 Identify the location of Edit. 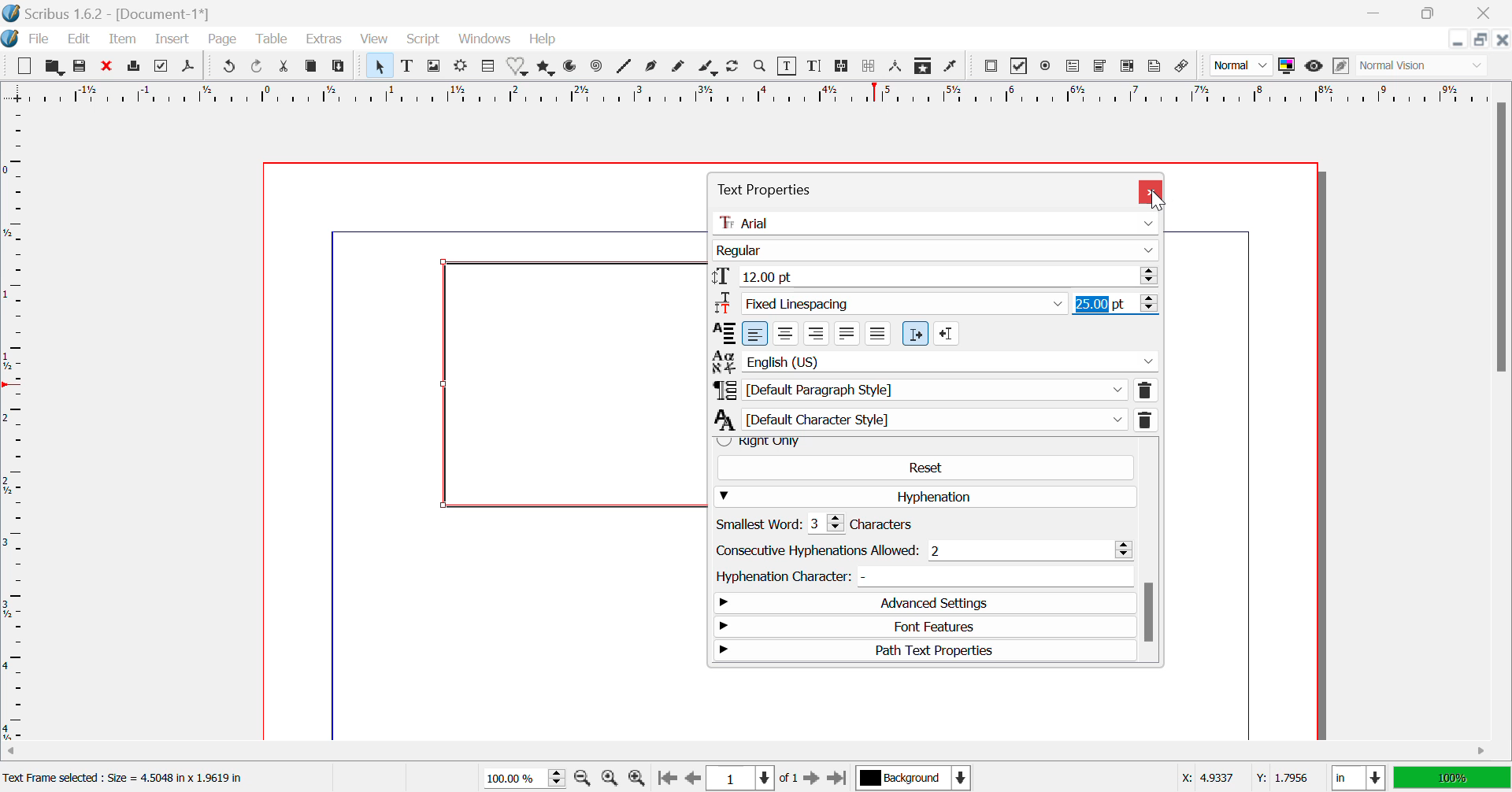
(81, 41).